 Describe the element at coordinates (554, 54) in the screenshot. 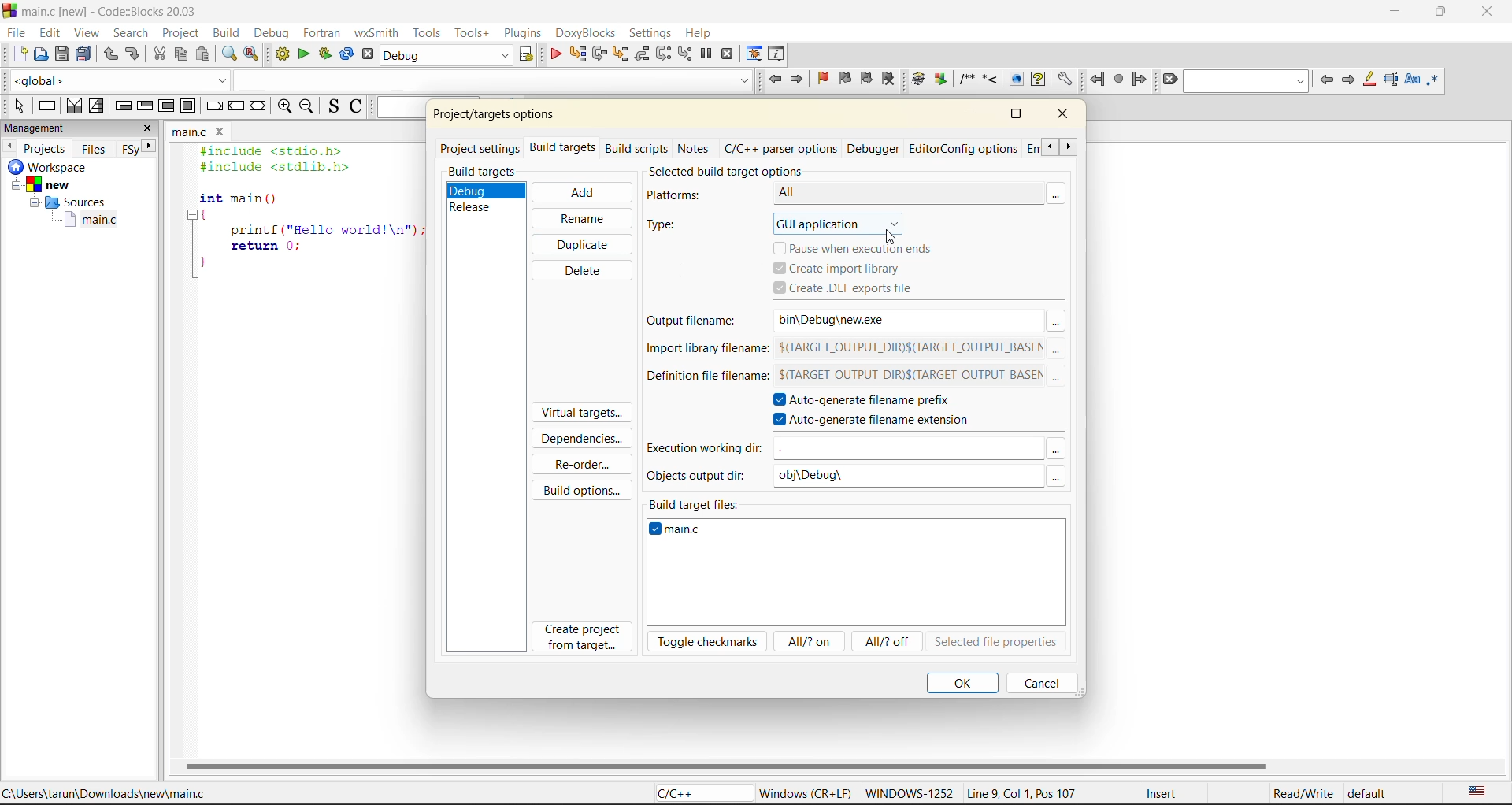

I see `debug` at that location.